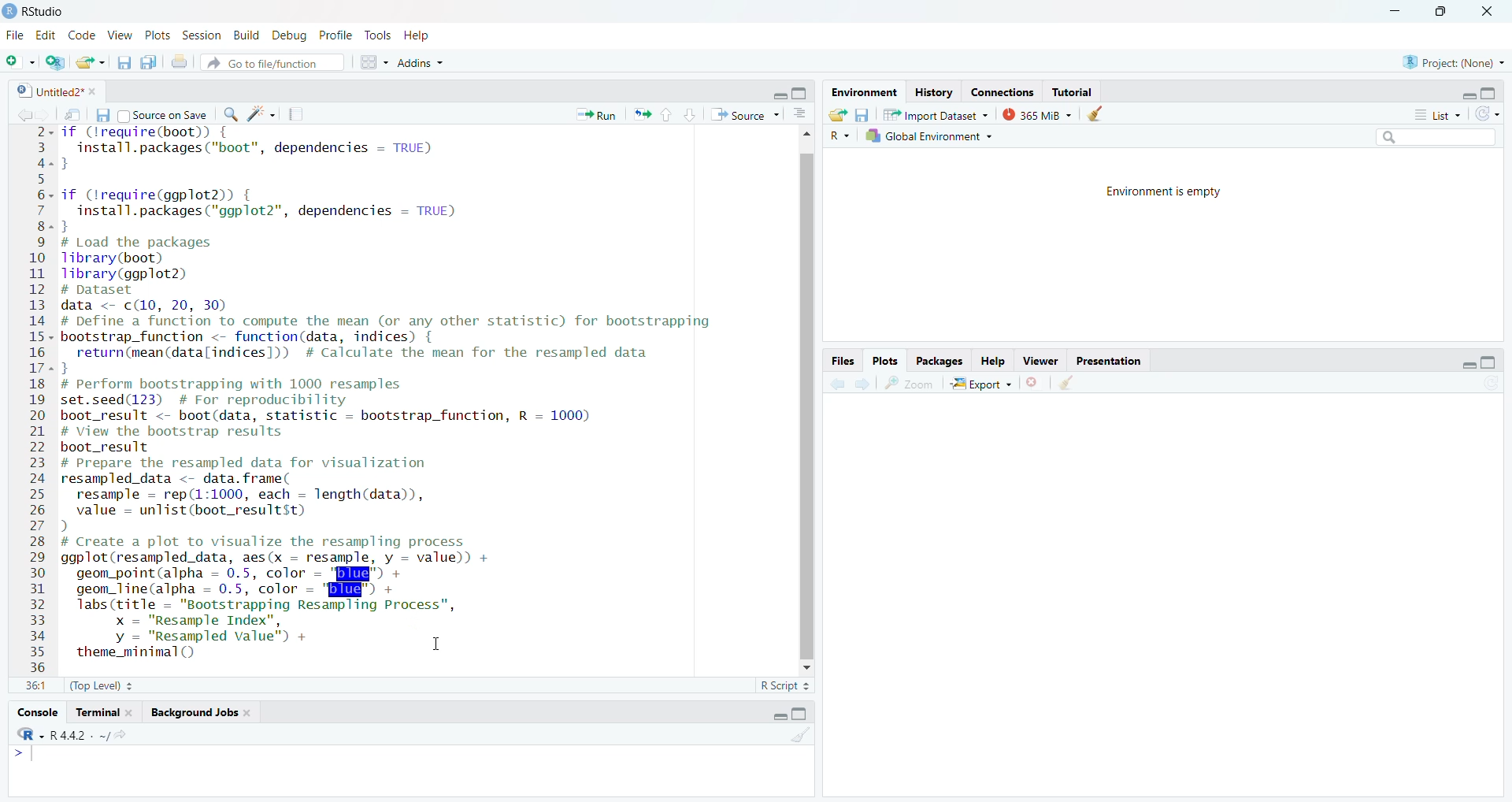 This screenshot has height=802, width=1512. I want to click on  Profile, so click(335, 35).